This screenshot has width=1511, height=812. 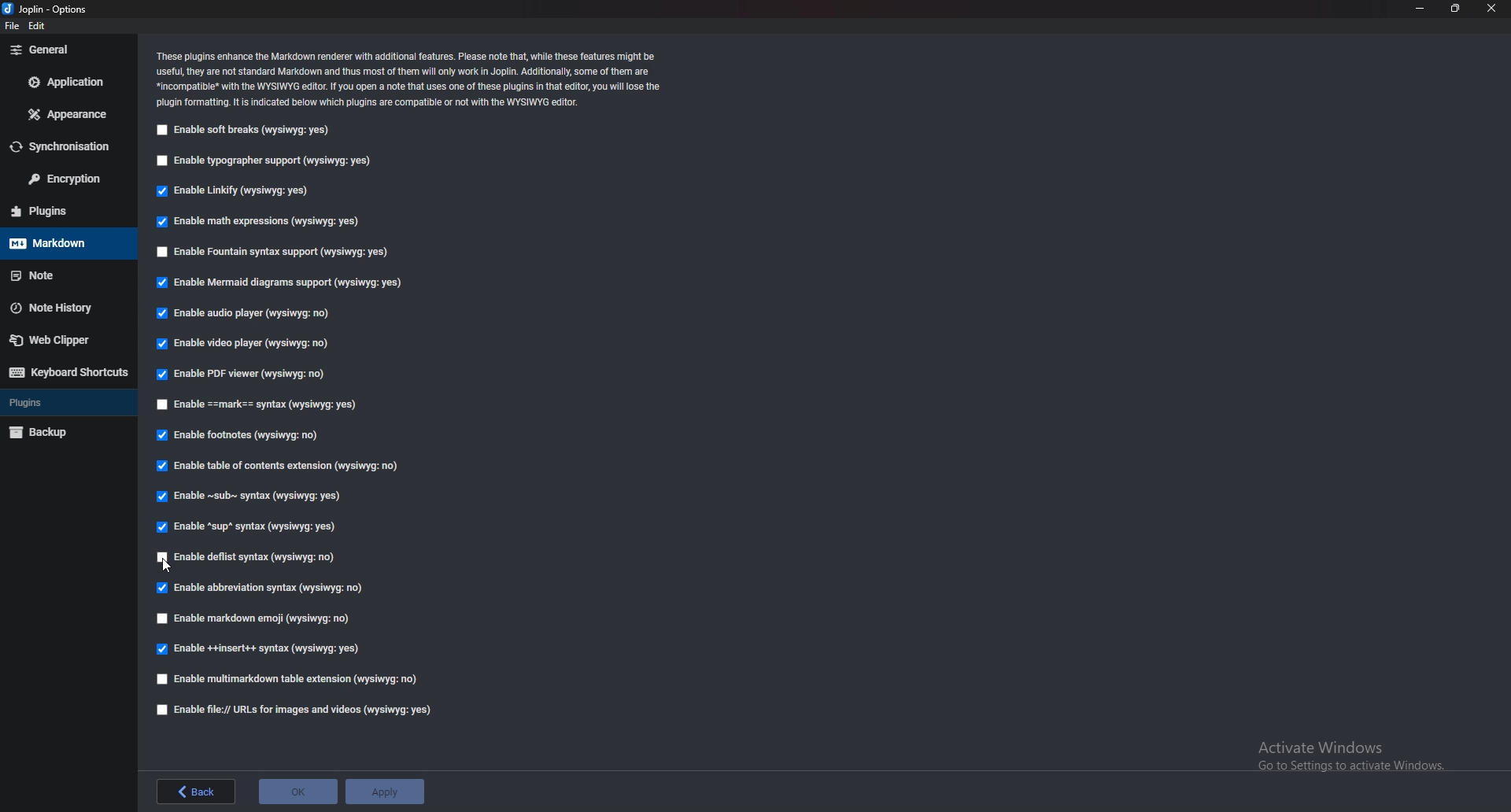 I want to click on backup, so click(x=64, y=433).